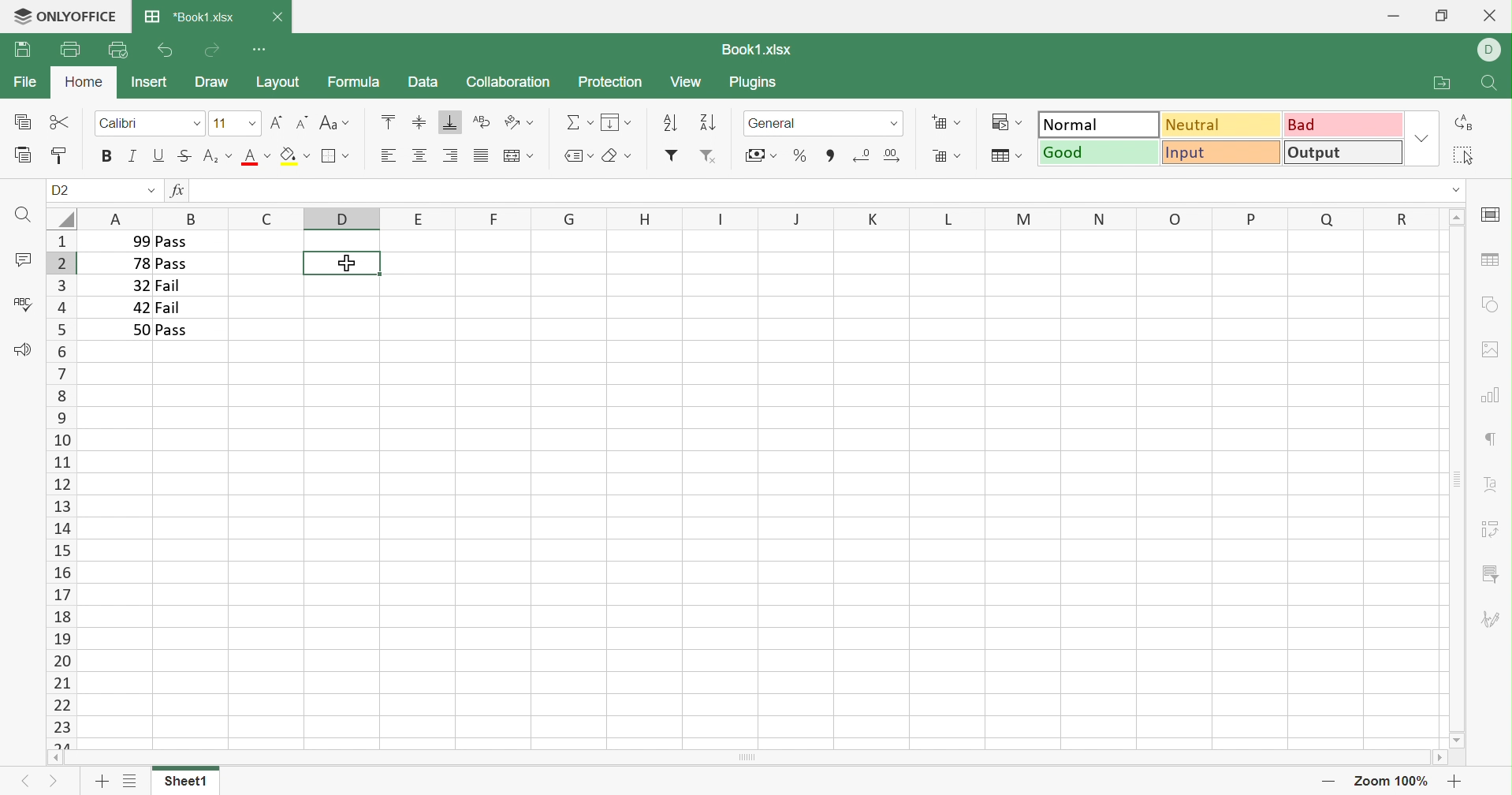 The width and height of the screenshot is (1512, 795). I want to click on Summation, so click(579, 123).